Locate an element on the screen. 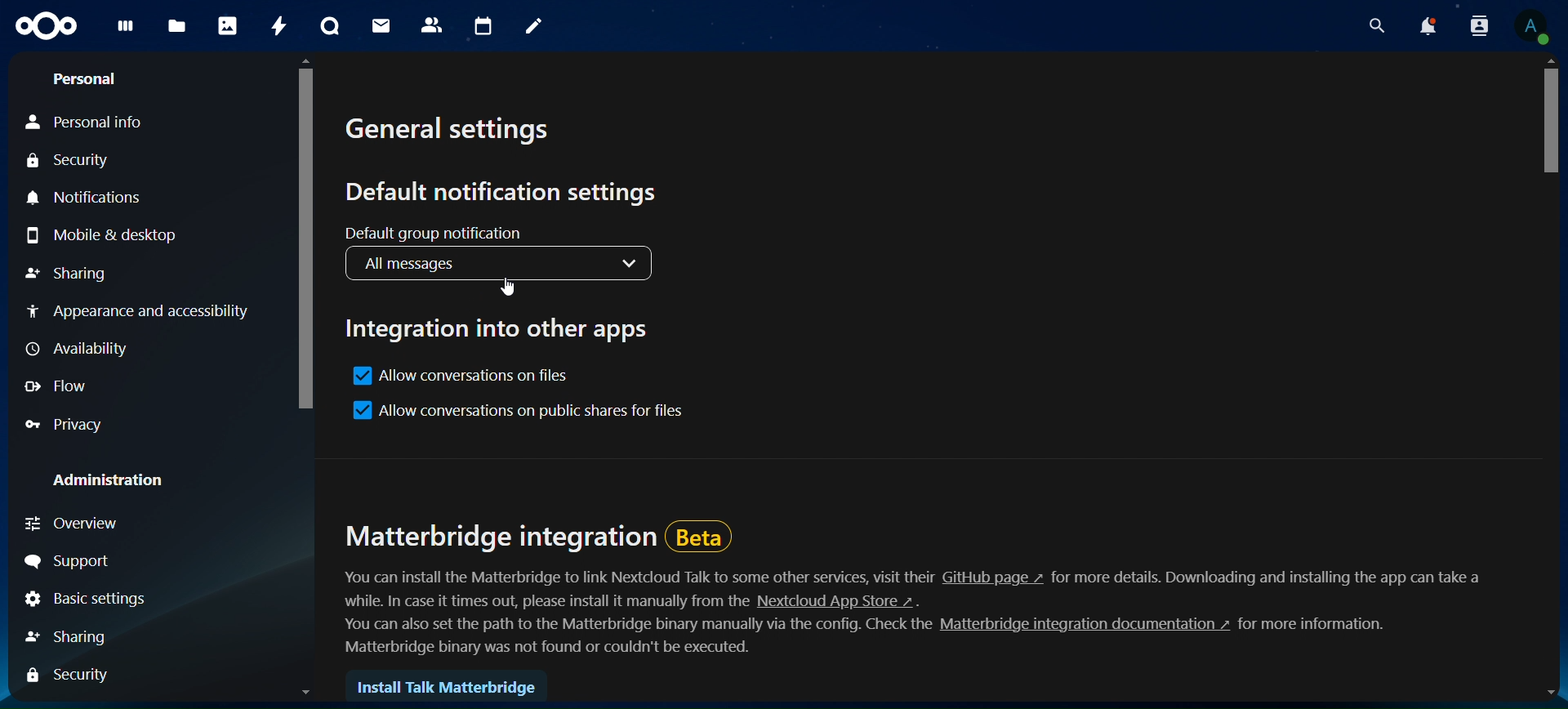 The width and height of the screenshot is (1568, 709). security is located at coordinates (69, 161).